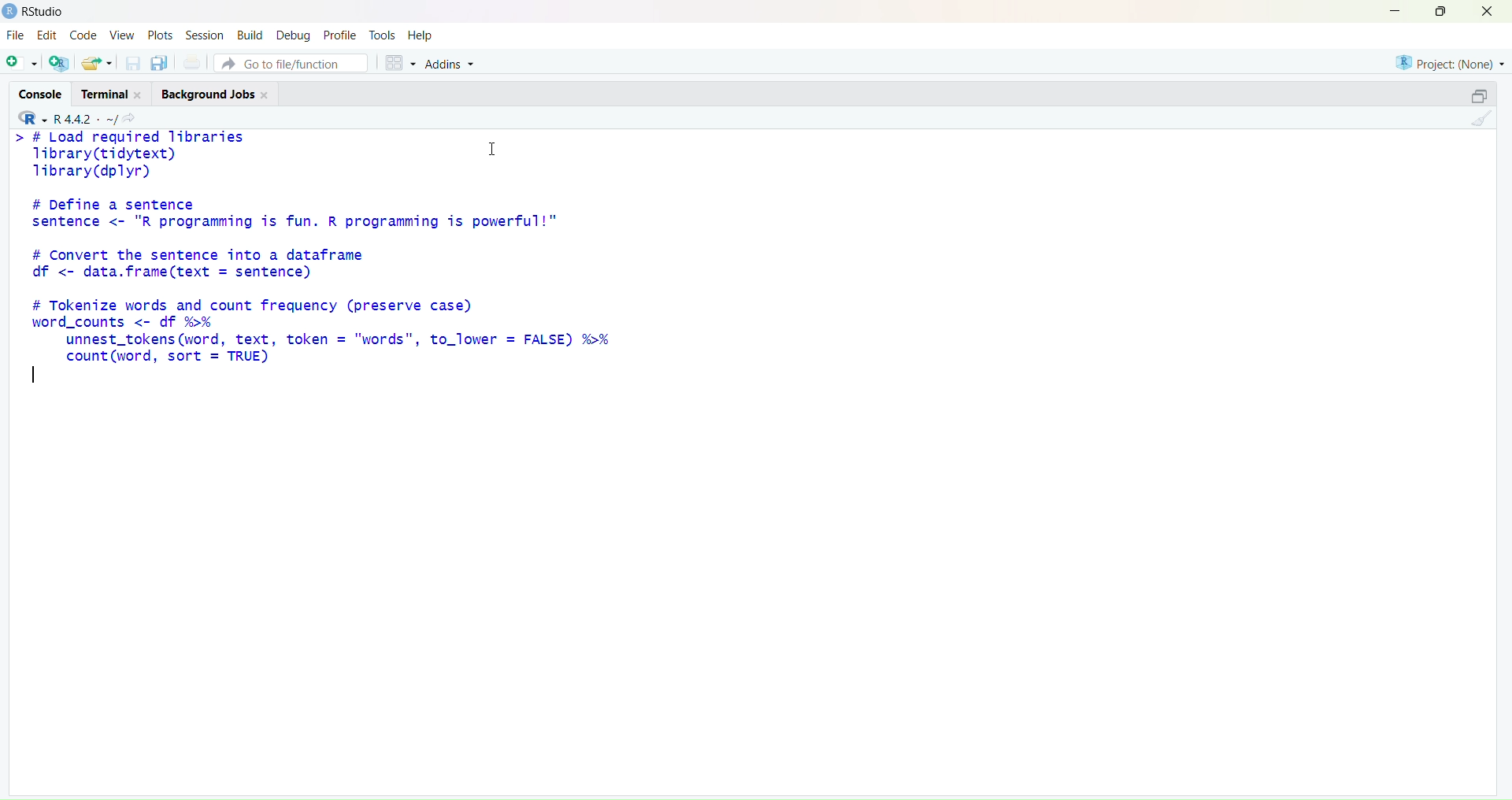 The width and height of the screenshot is (1512, 800). Describe the element at coordinates (205, 35) in the screenshot. I see `session` at that location.